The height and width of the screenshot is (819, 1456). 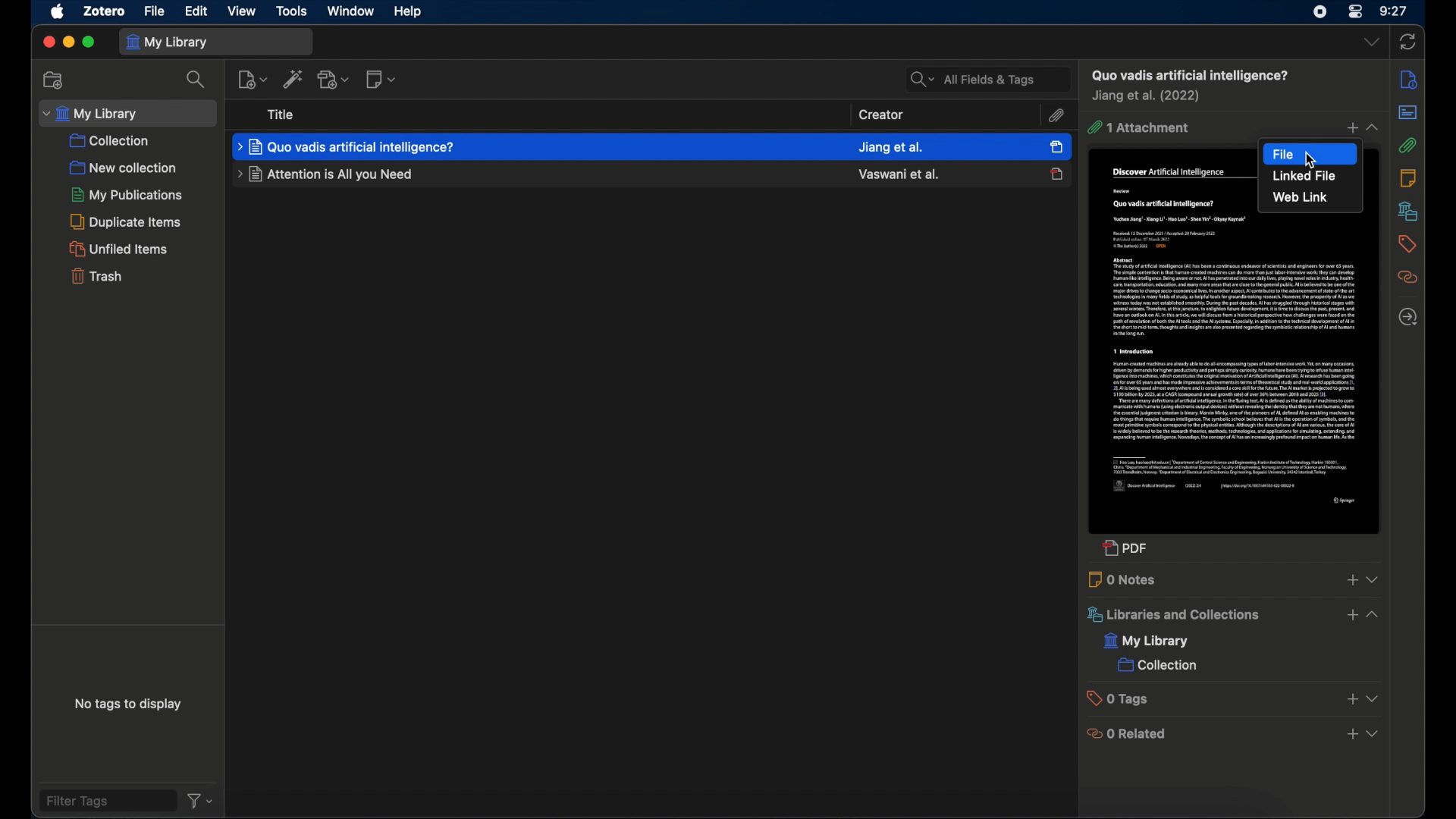 What do you see at coordinates (1122, 698) in the screenshot?
I see `0 tags` at bounding box center [1122, 698].